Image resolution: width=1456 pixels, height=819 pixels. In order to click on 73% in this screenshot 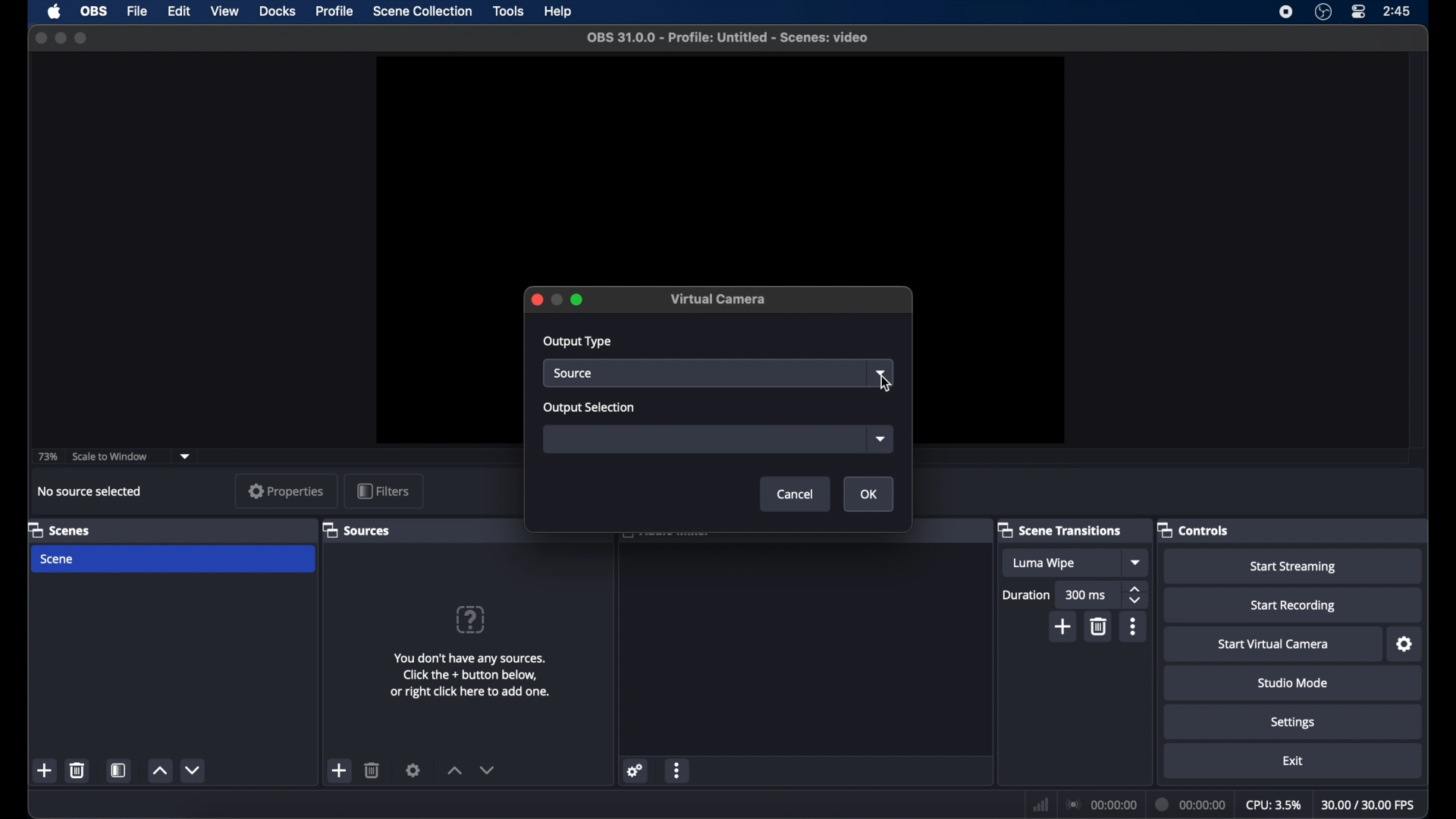, I will do `click(46, 457)`.